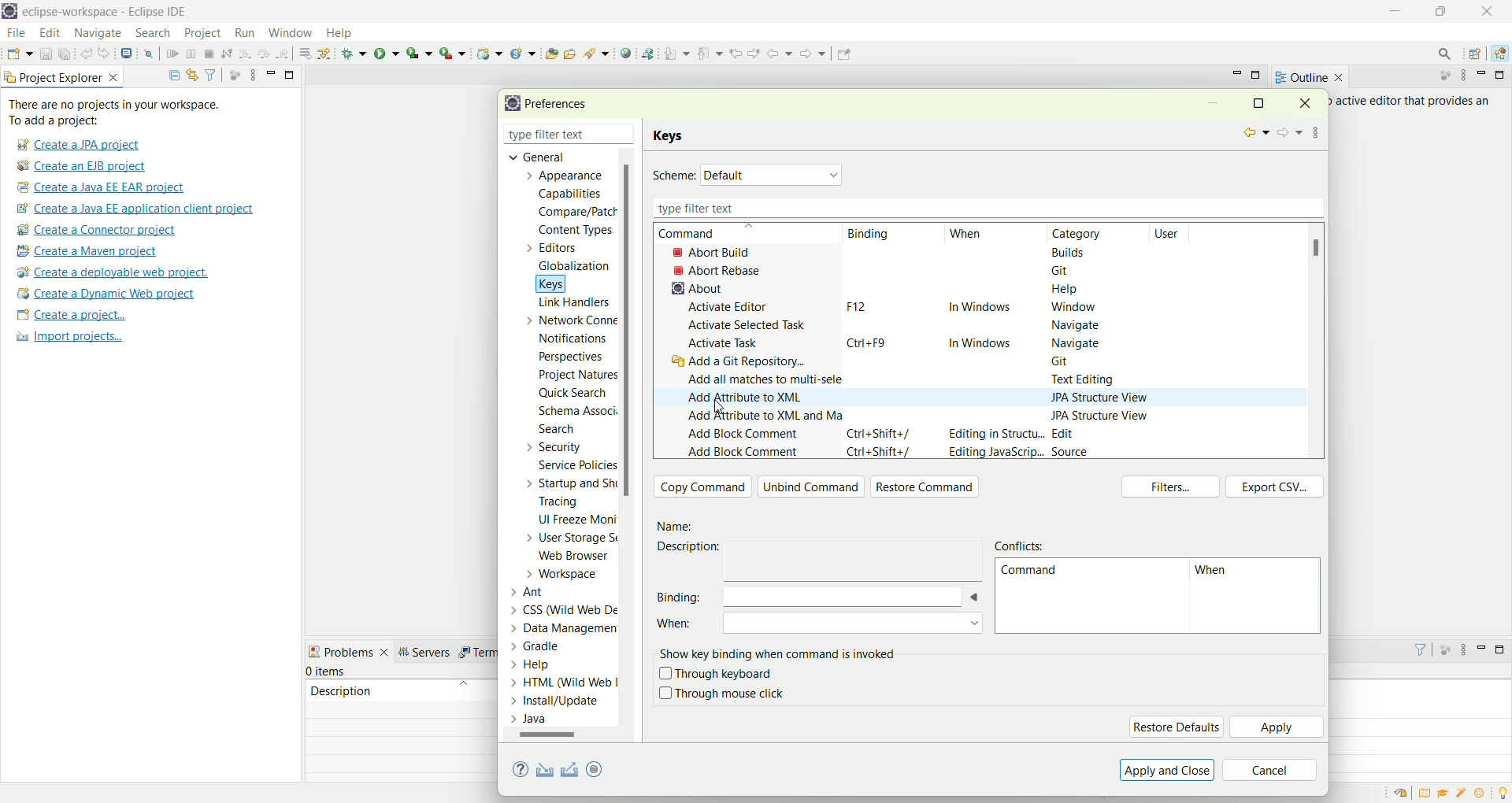 The image size is (1512, 803). What do you see at coordinates (739, 54) in the screenshot?
I see `previous edit location` at bounding box center [739, 54].